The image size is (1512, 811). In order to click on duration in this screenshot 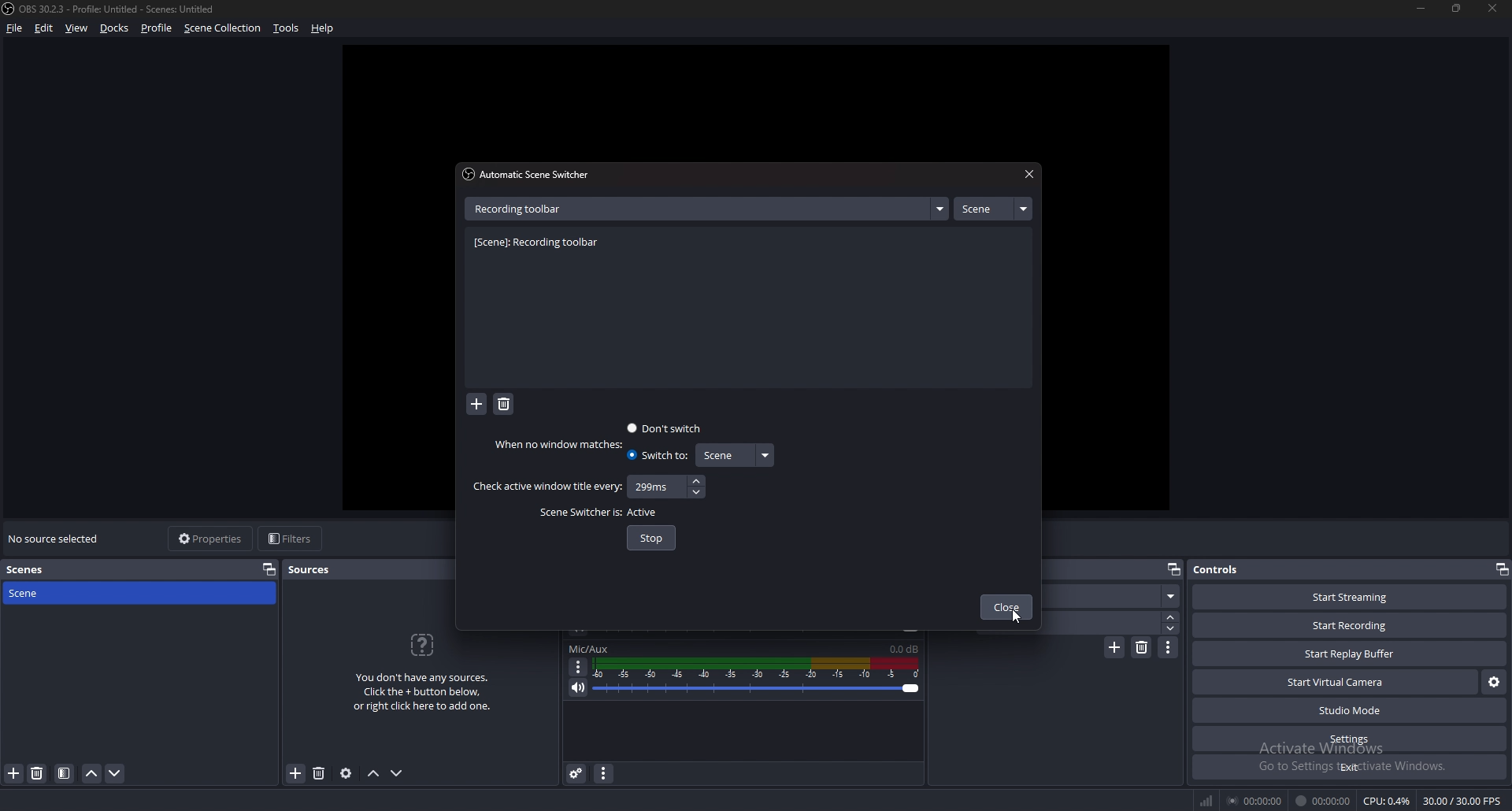, I will do `click(1110, 622)`.